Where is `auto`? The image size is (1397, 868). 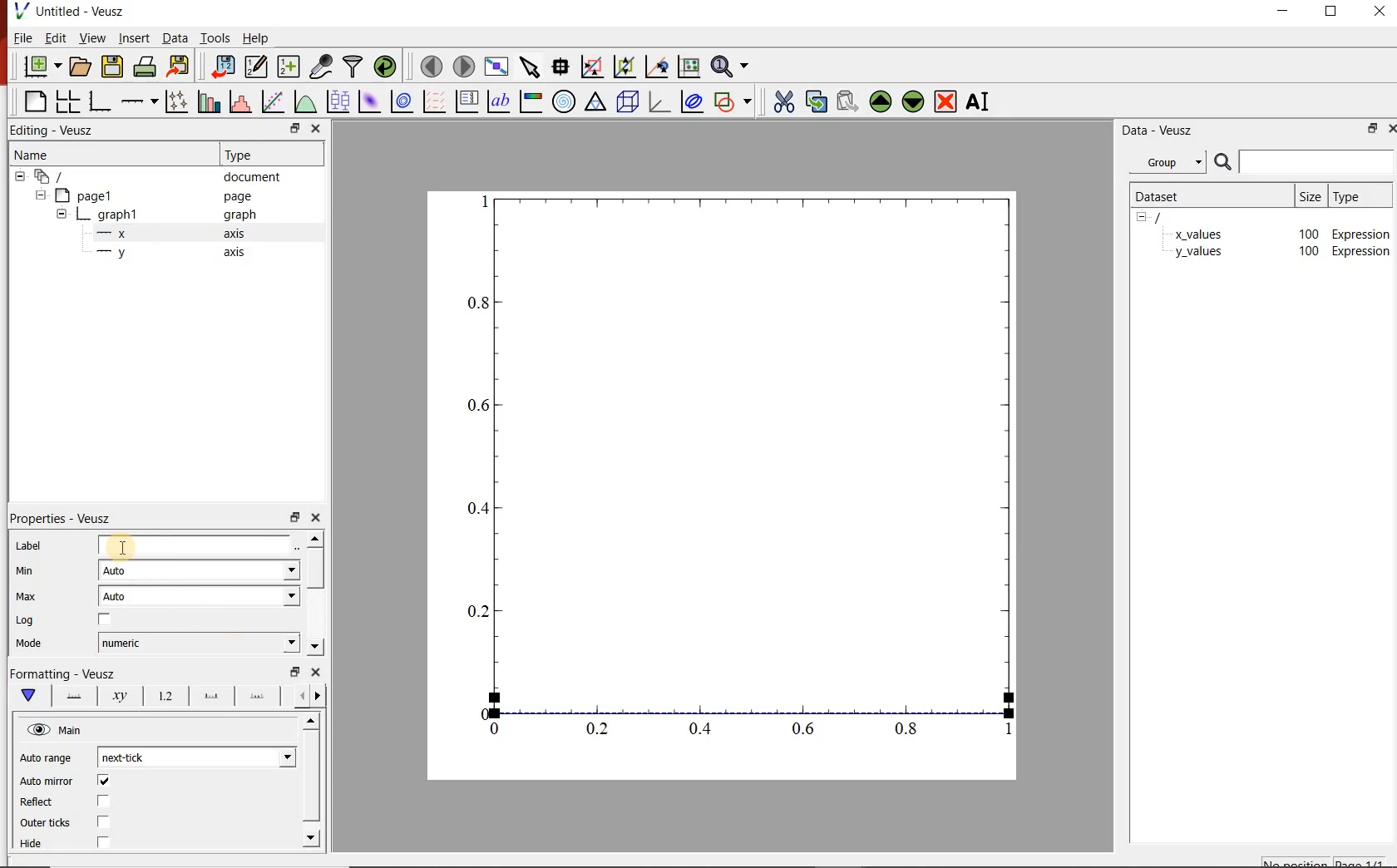 auto is located at coordinates (200, 595).